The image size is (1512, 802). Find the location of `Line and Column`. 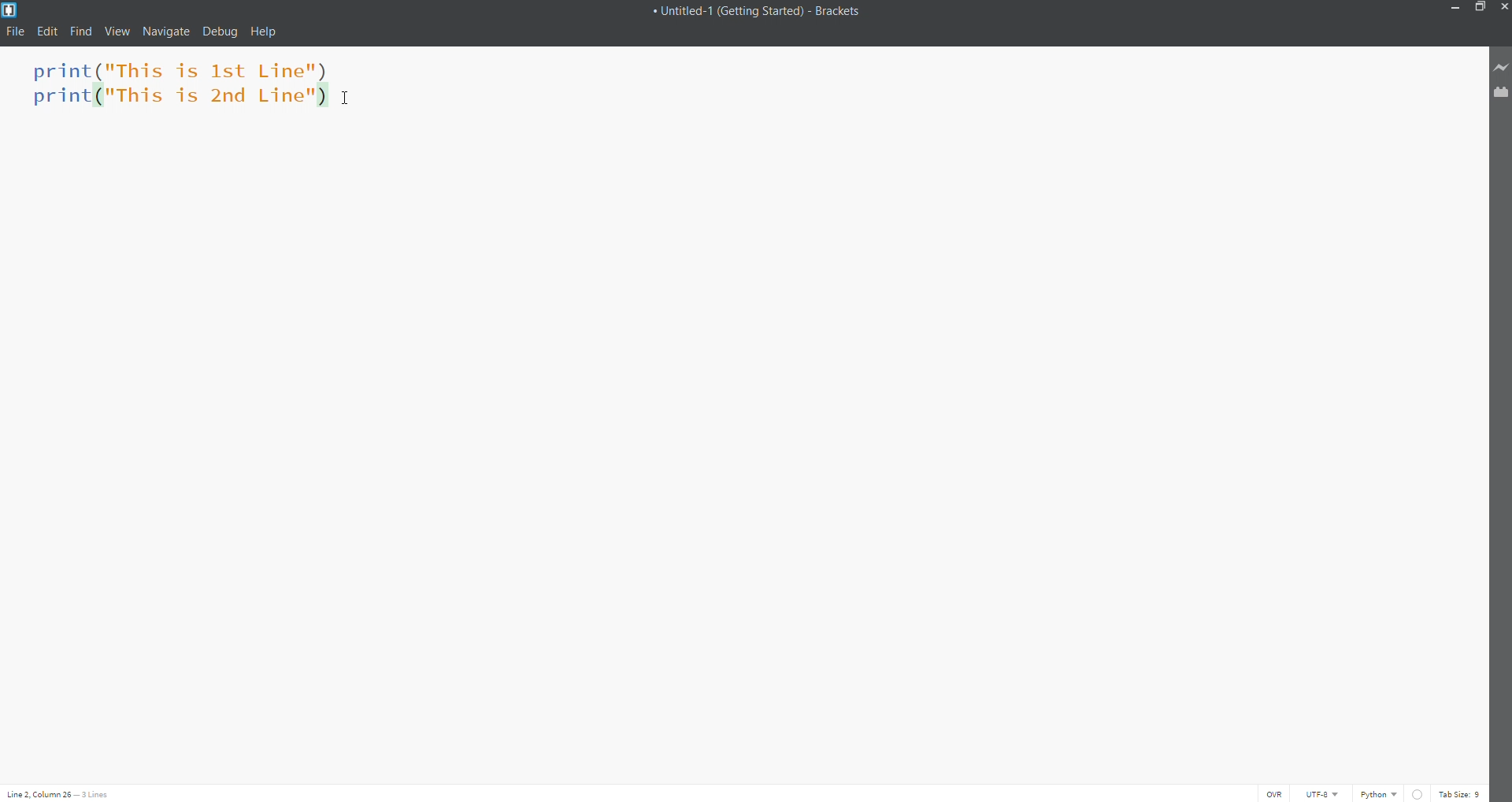

Line and Column is located at coordinates (65, 794).